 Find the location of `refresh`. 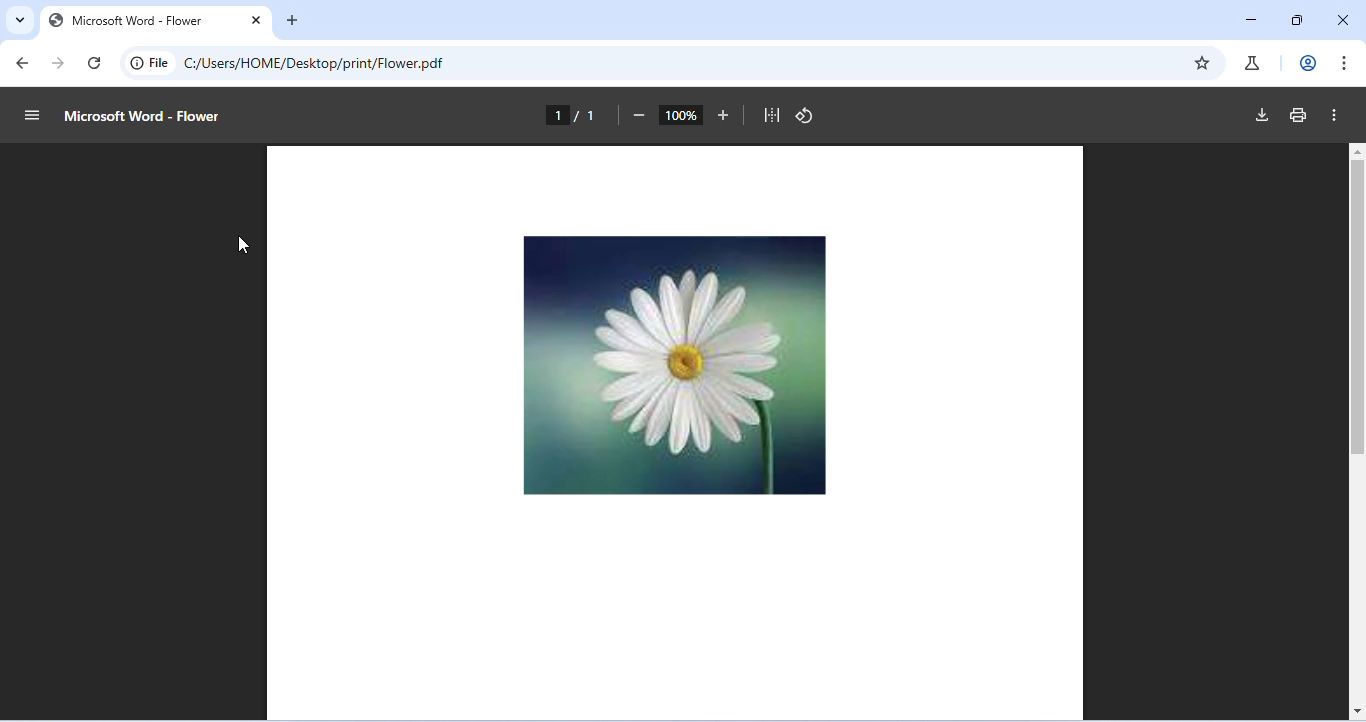

refresh is located at coordinates (105, 63).